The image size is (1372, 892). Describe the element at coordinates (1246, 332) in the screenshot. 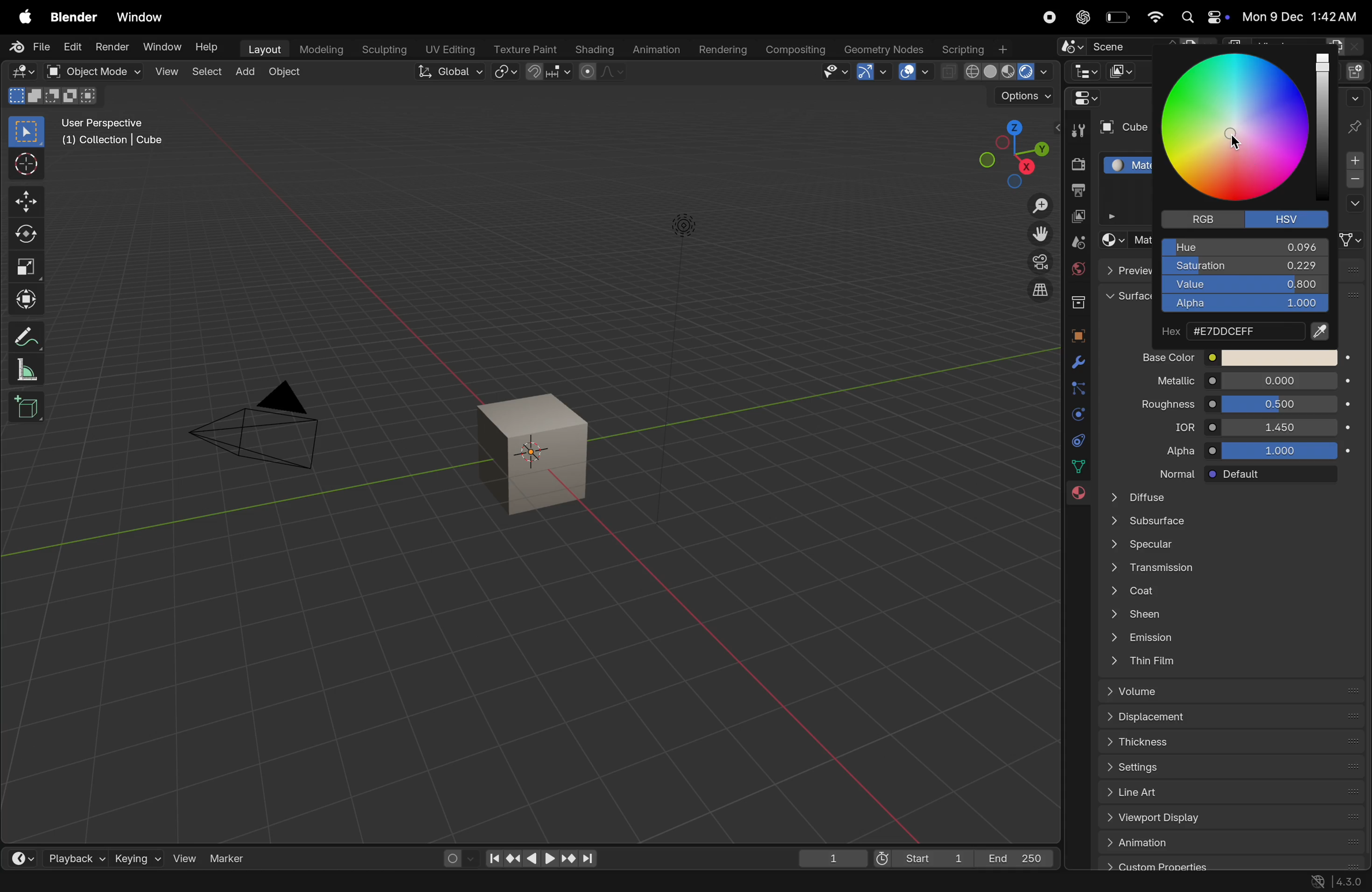

I see `color code` at that location.